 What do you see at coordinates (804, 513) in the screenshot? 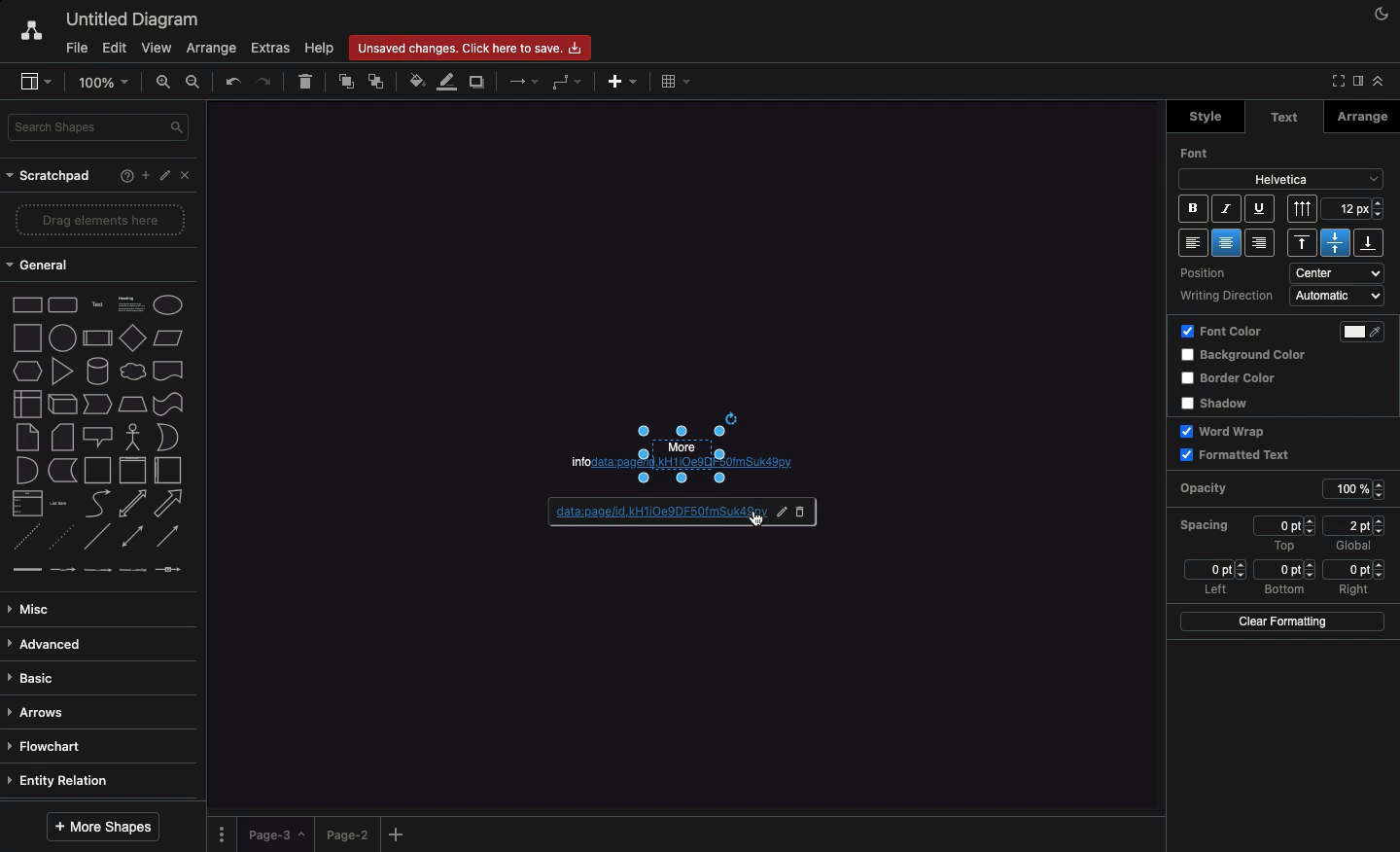
I see `Delete` at bounding box center [804, 513].